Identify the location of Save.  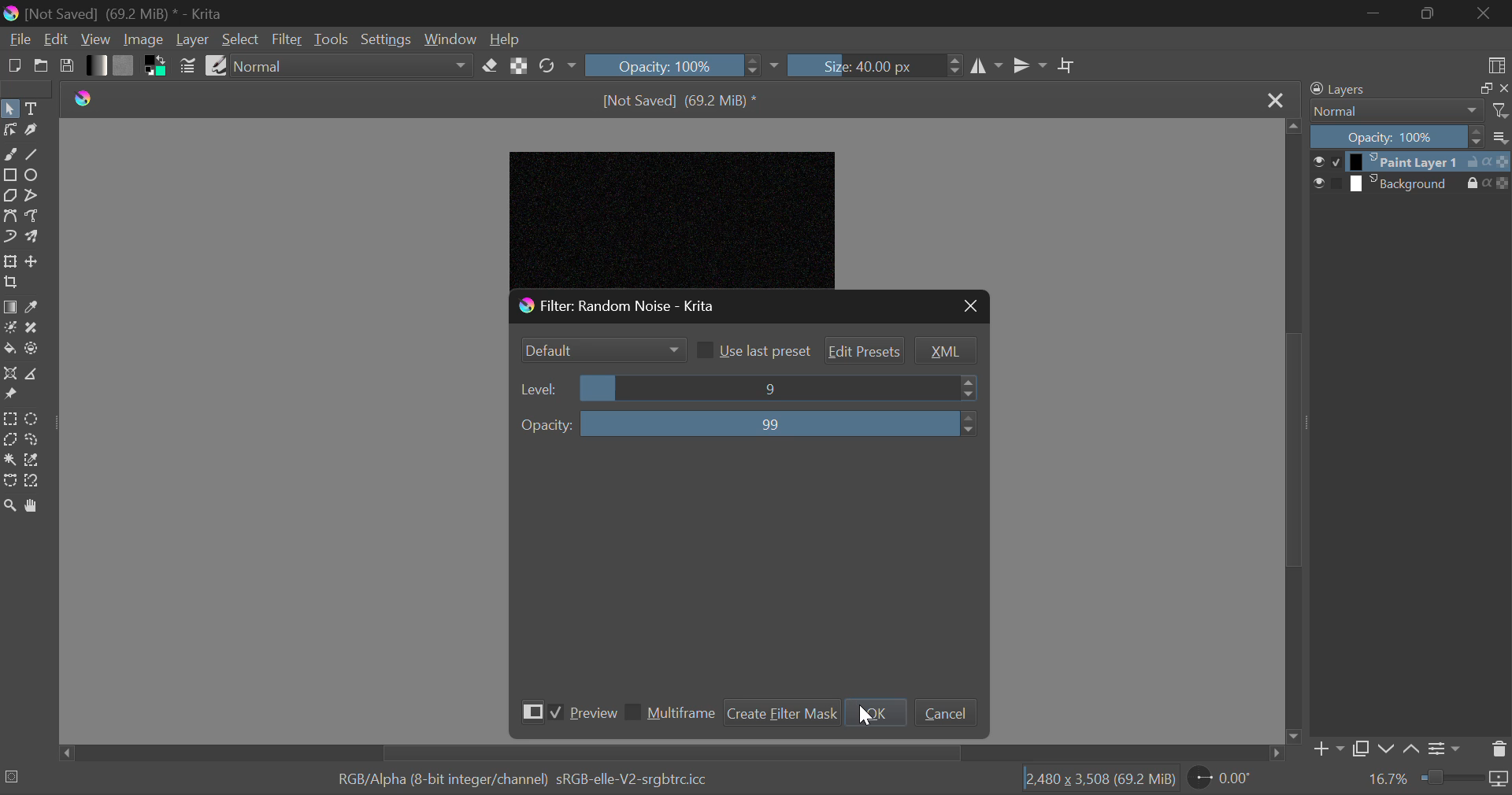
(68, 67).